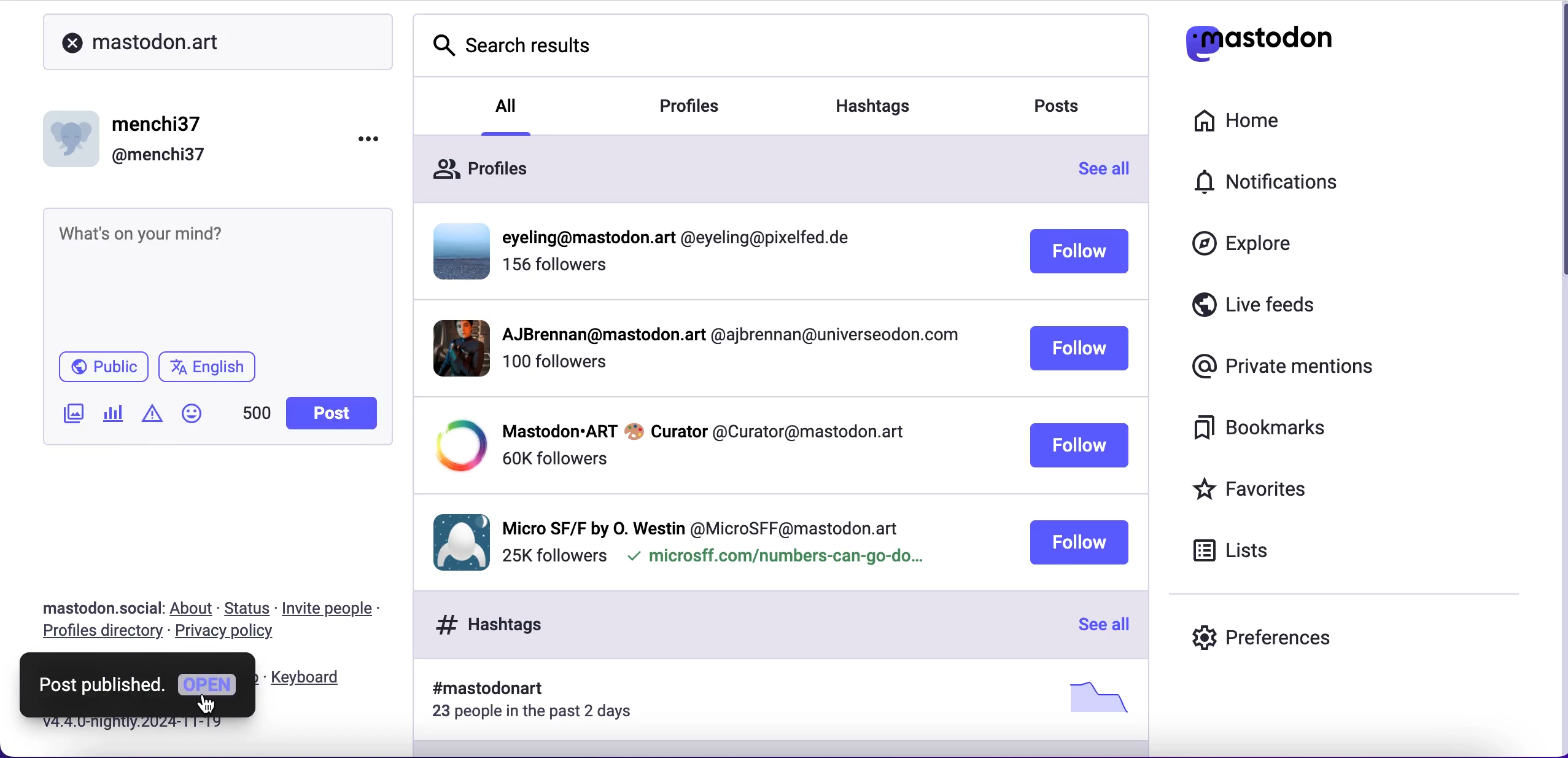  What do you see at coordinates (152, 418) in the screenshot?
I see `add warnings` at bounding box center [152, 418].